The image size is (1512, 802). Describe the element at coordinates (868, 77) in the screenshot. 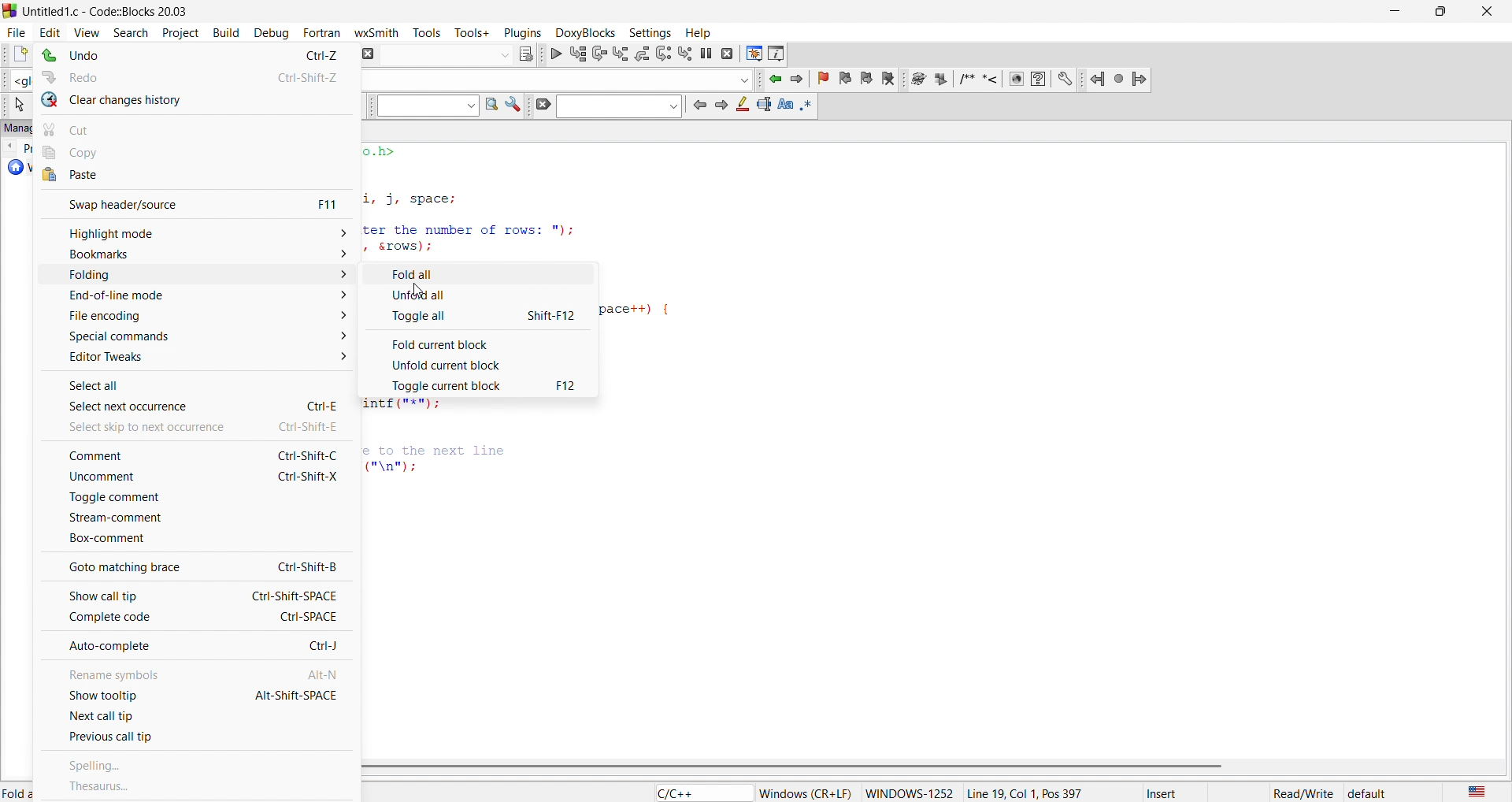

I see `next bookmark` at that location.